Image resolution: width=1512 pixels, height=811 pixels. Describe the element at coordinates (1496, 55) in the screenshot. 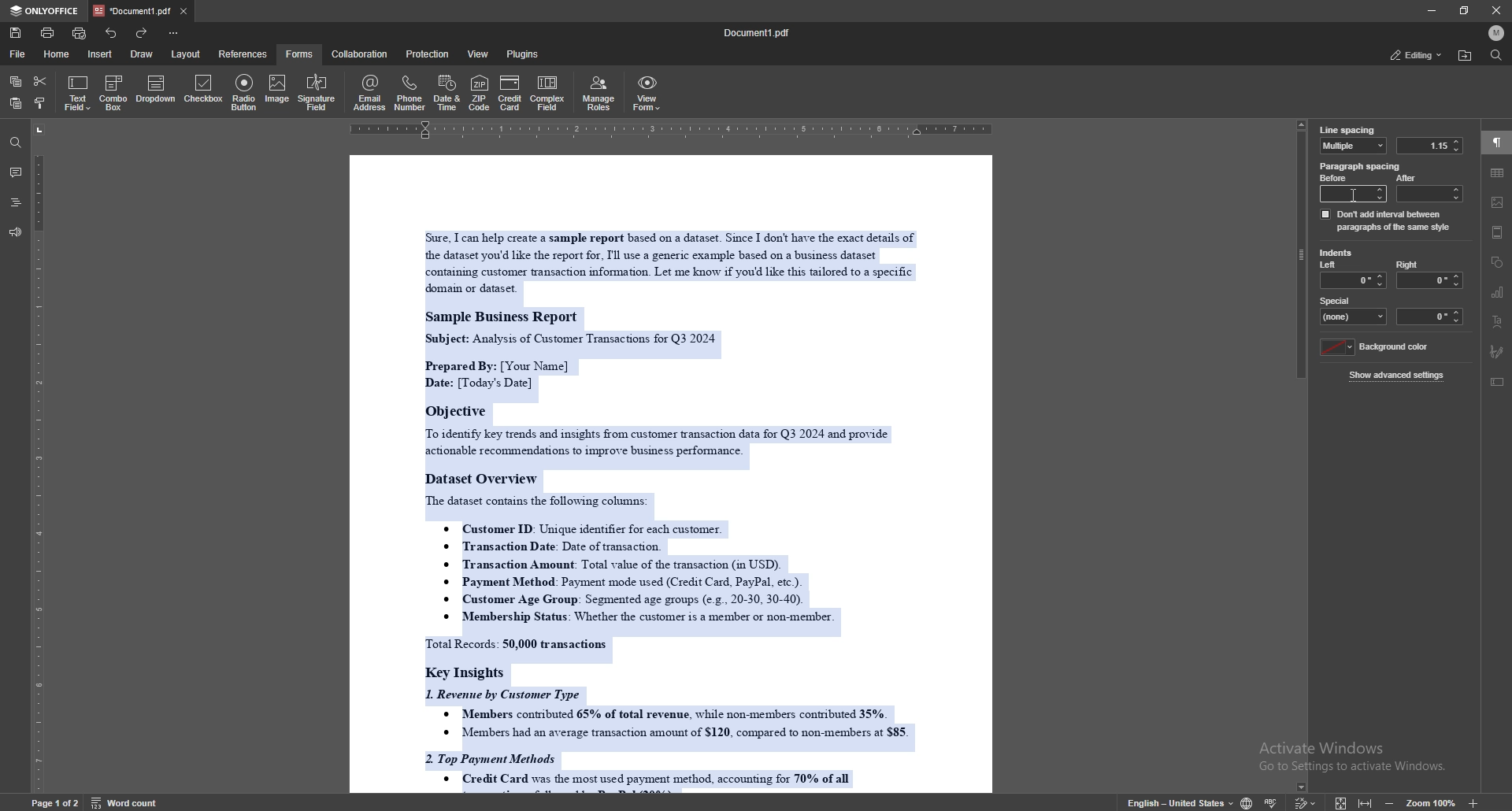

I see `find` at that location.